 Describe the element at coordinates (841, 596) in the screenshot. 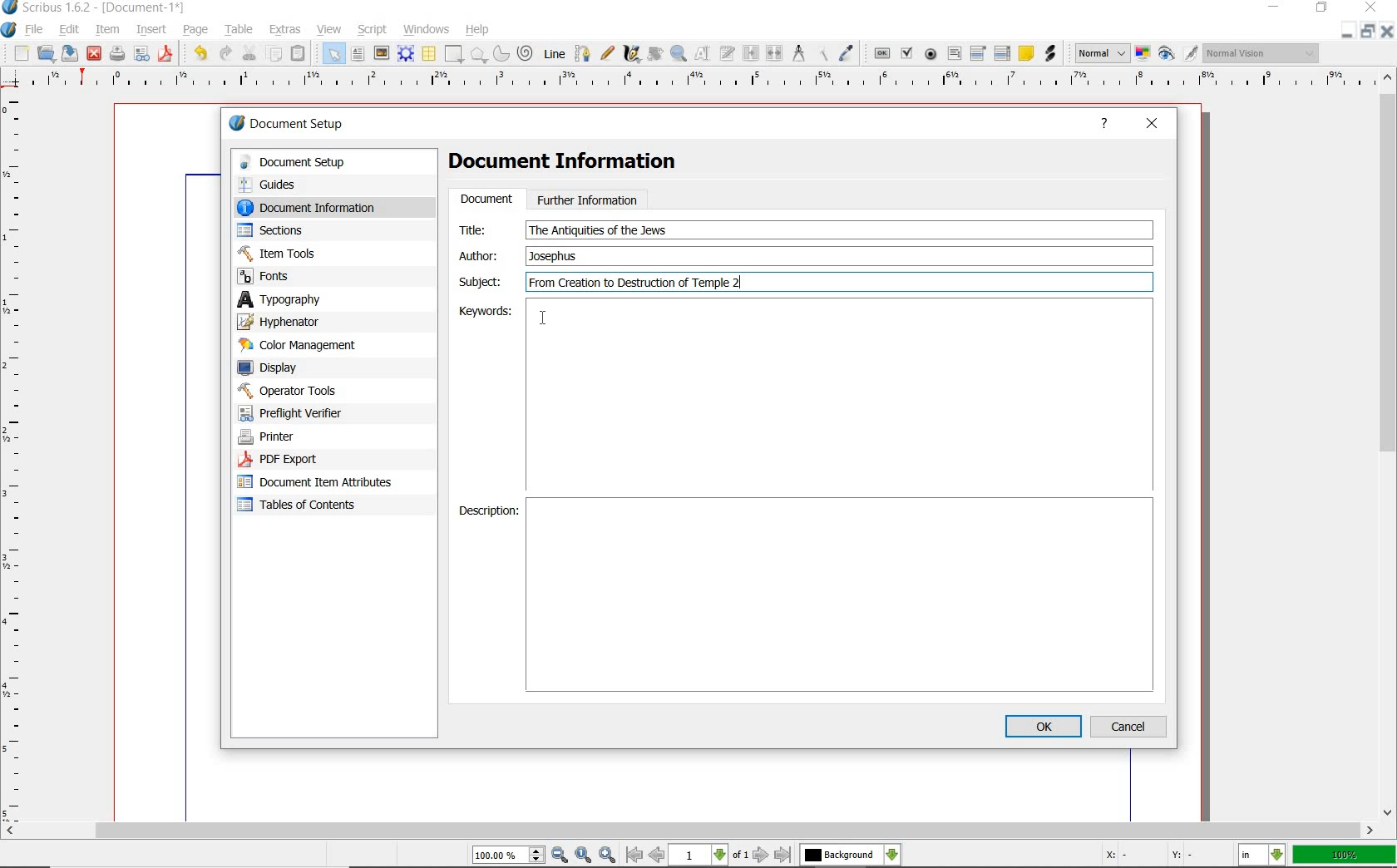

I see `Description` at that location.